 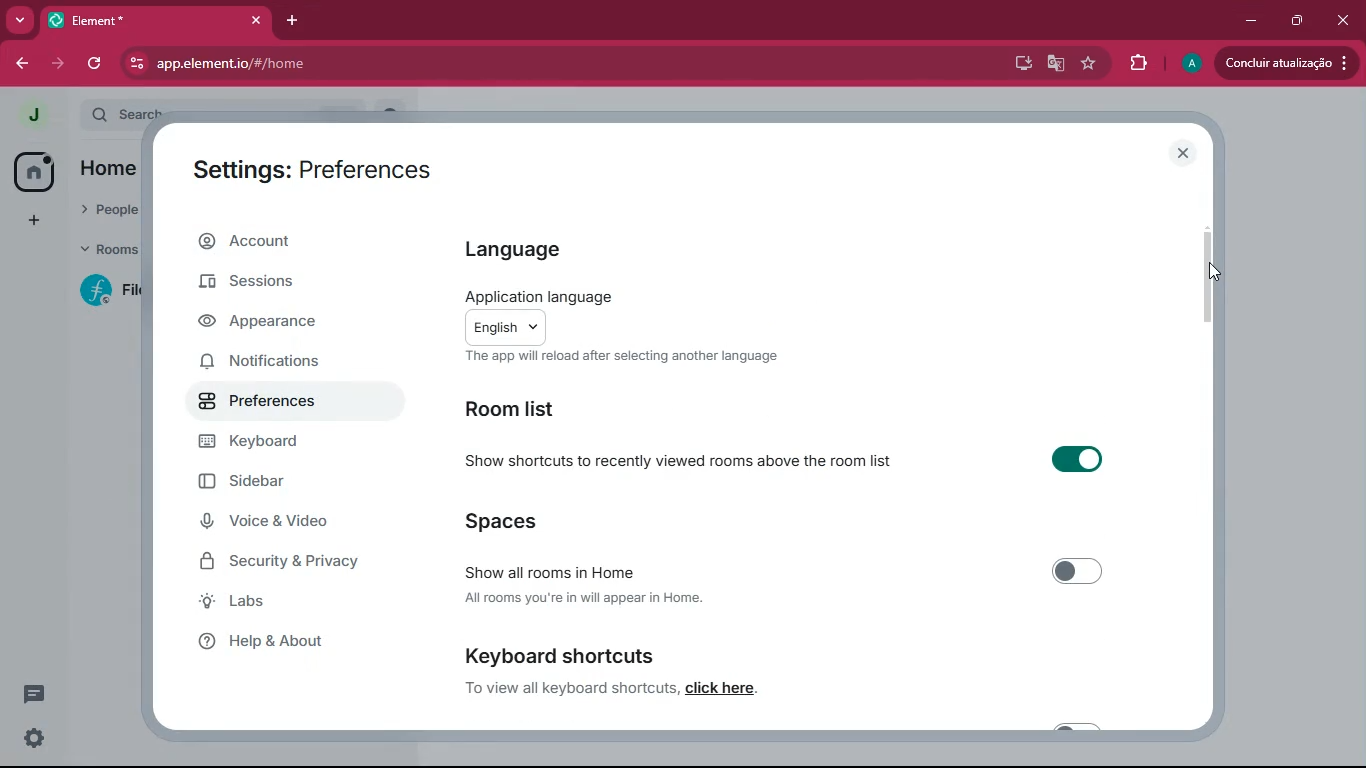 I want to click on toggle off, so click(x=1077, y=727).